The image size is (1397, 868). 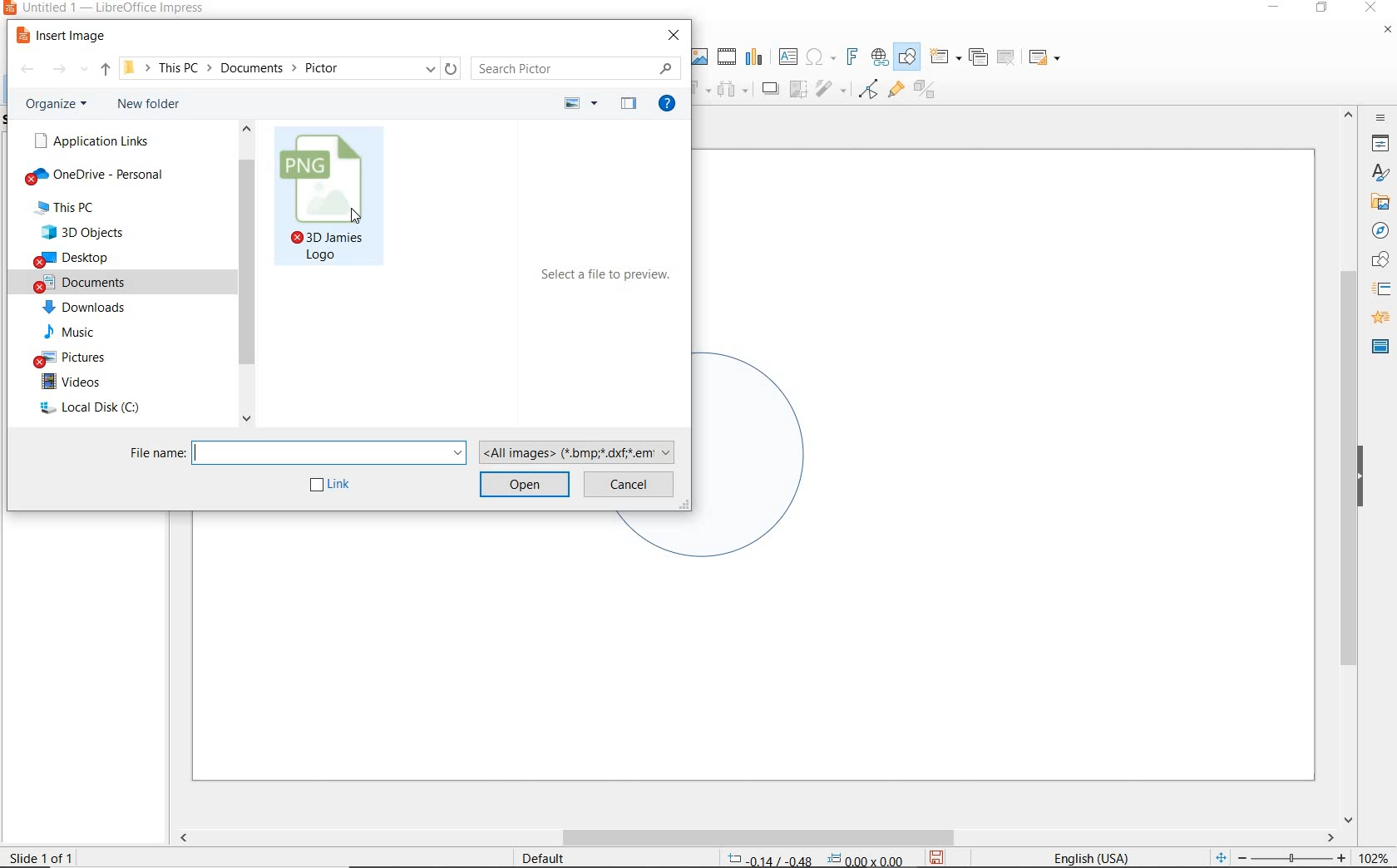 I want to click on LINK, so click(x=332, y=486).